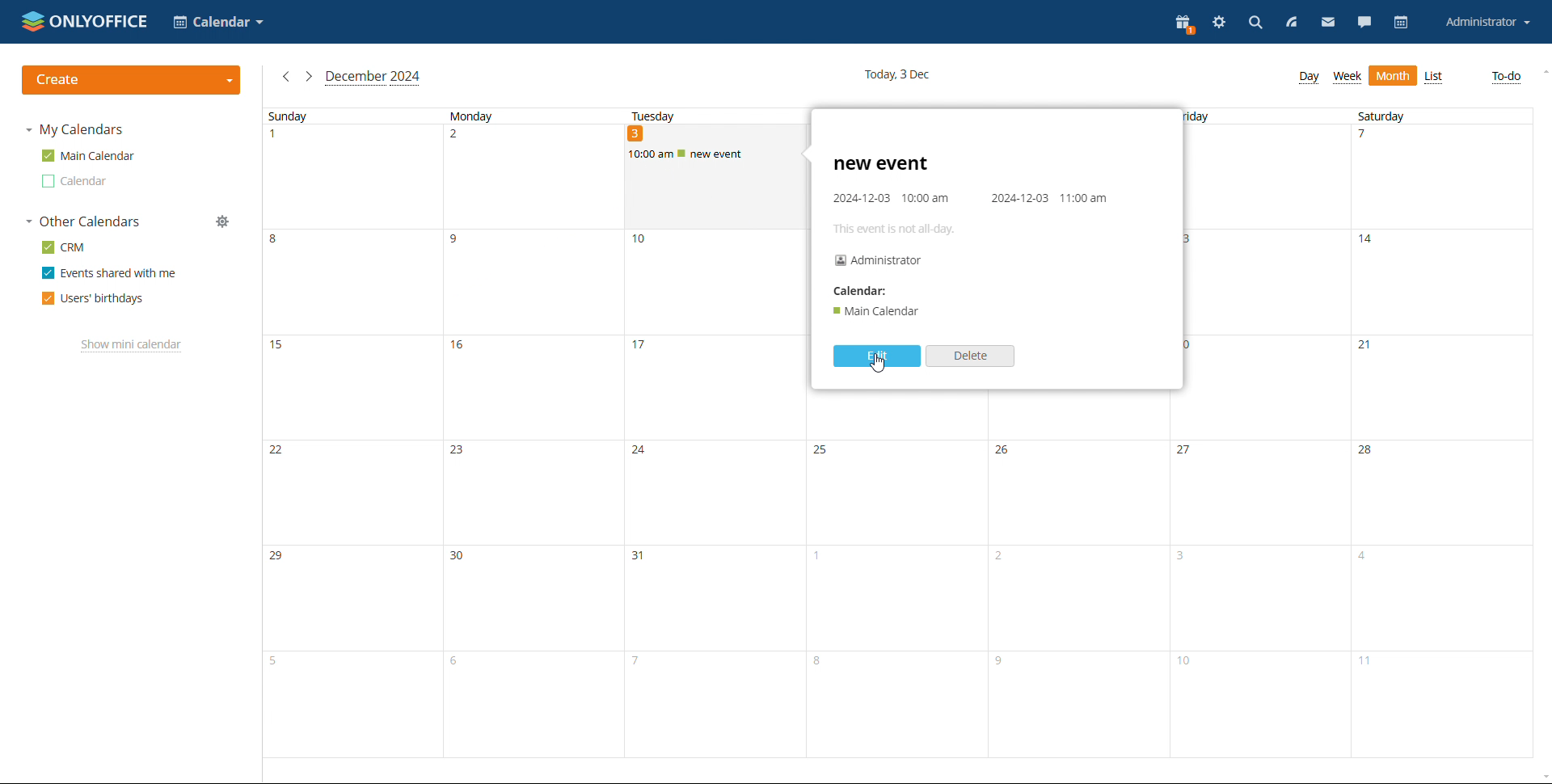 Image resolution: width=1552 pixels, height=784 pixels. Describe the element at coordinates (1347, 78) in the screenshot. I see `week view` at that location.